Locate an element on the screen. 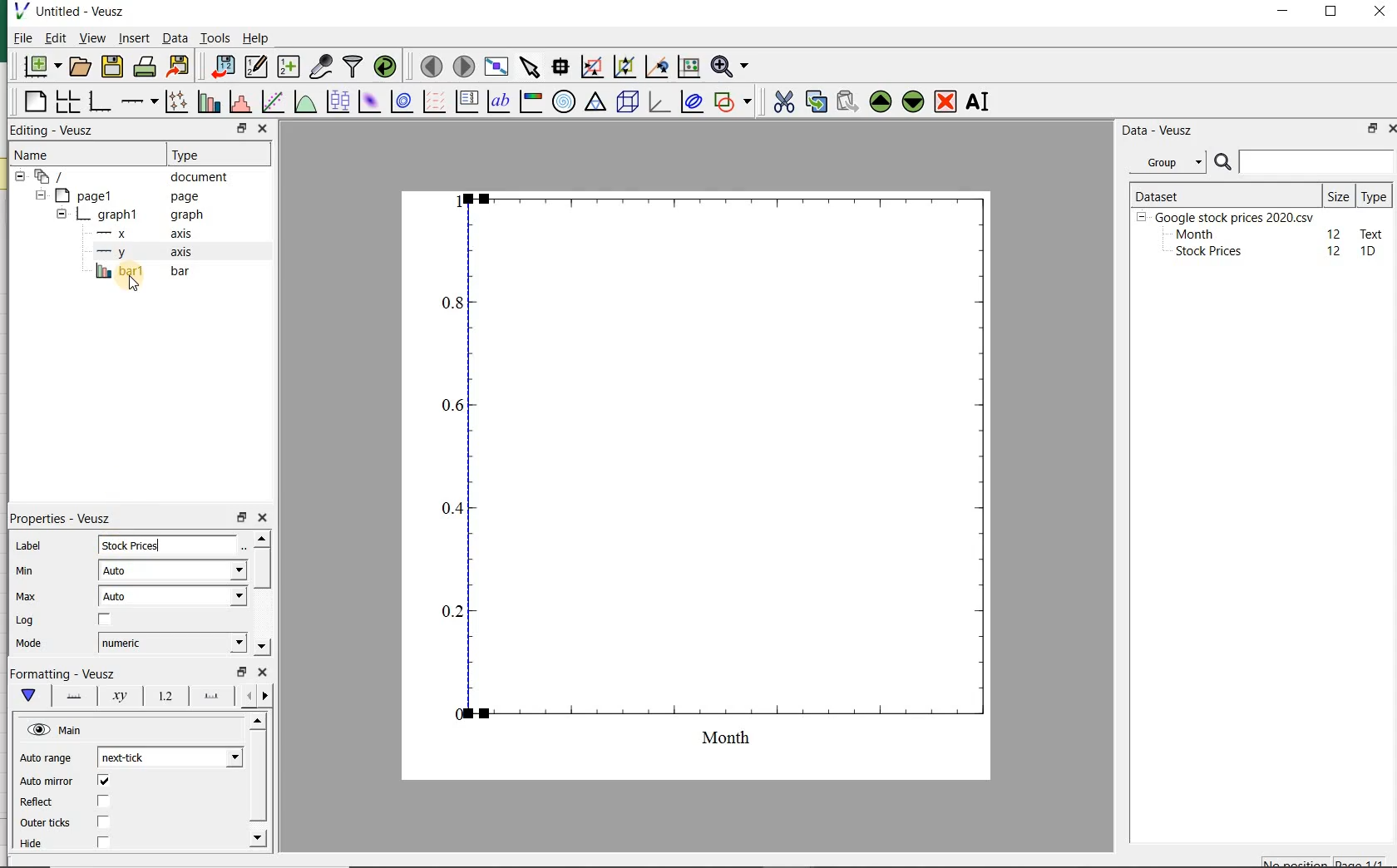 This screenshot has width=1397, height=868. x axis is located at coordinates (137, 234).